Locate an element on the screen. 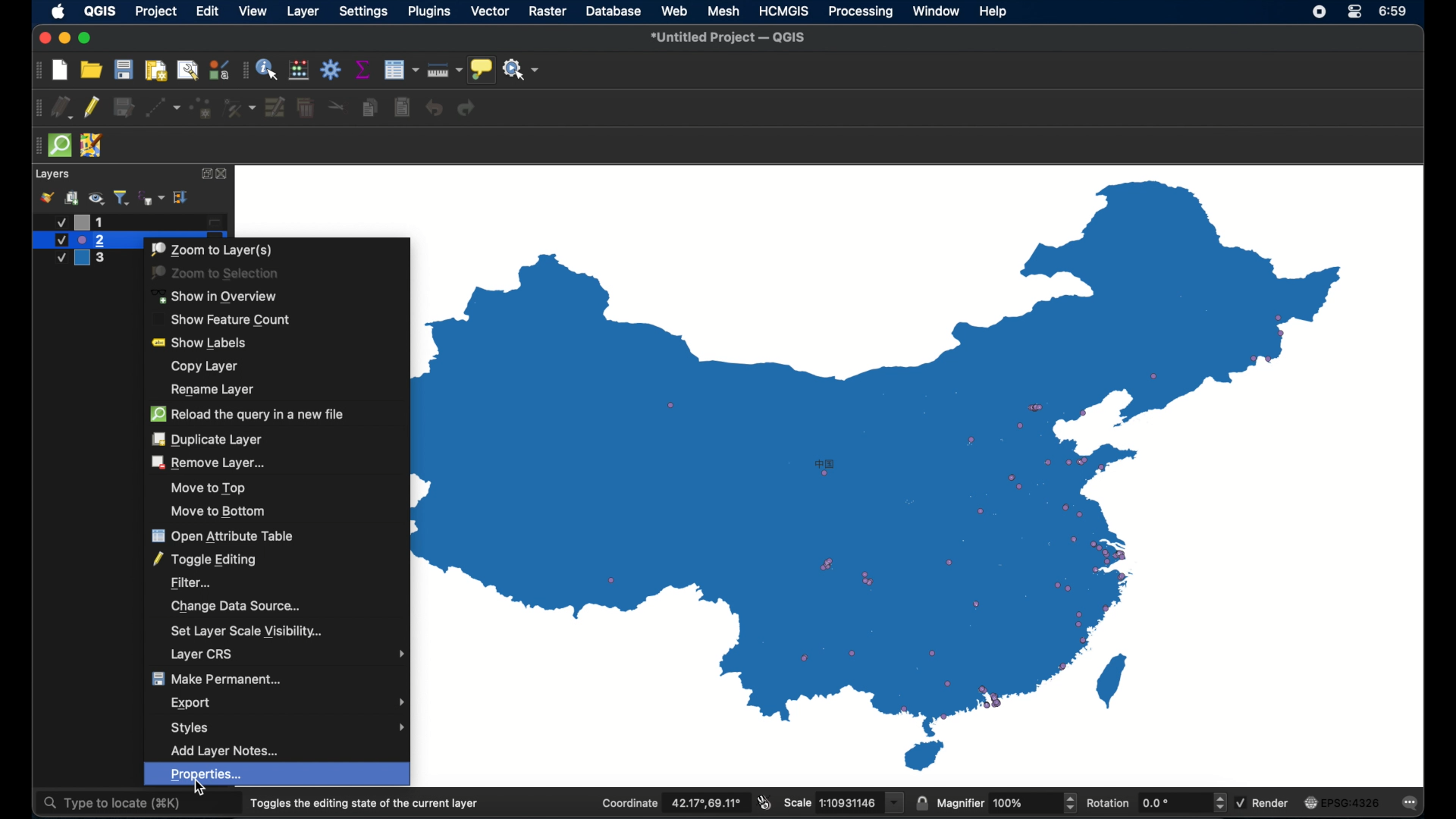  plugins is located at coordinates (430, 11).